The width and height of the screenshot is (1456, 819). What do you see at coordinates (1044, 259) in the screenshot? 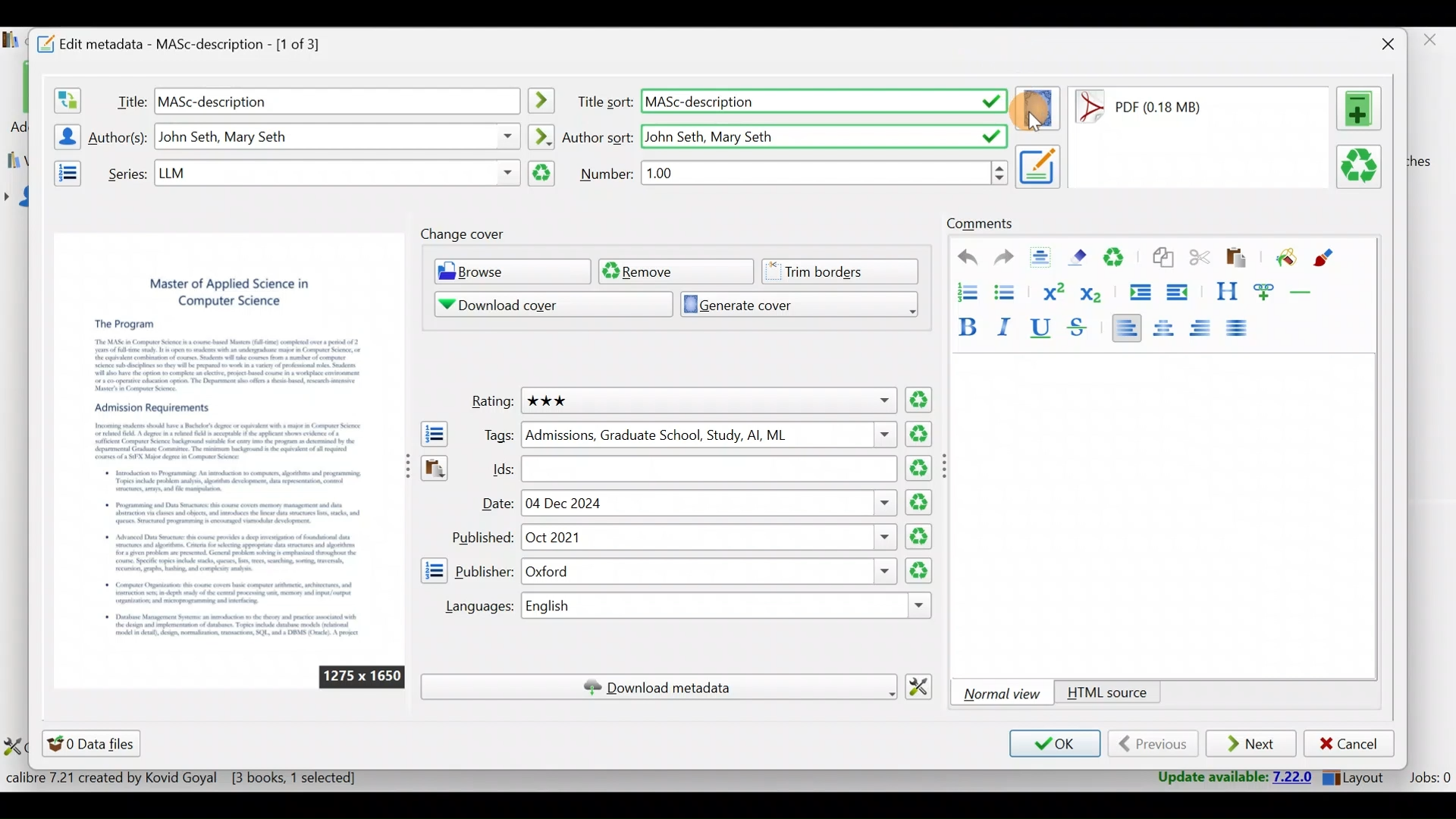
I see `Select all` at bounding box center [1044, 259].